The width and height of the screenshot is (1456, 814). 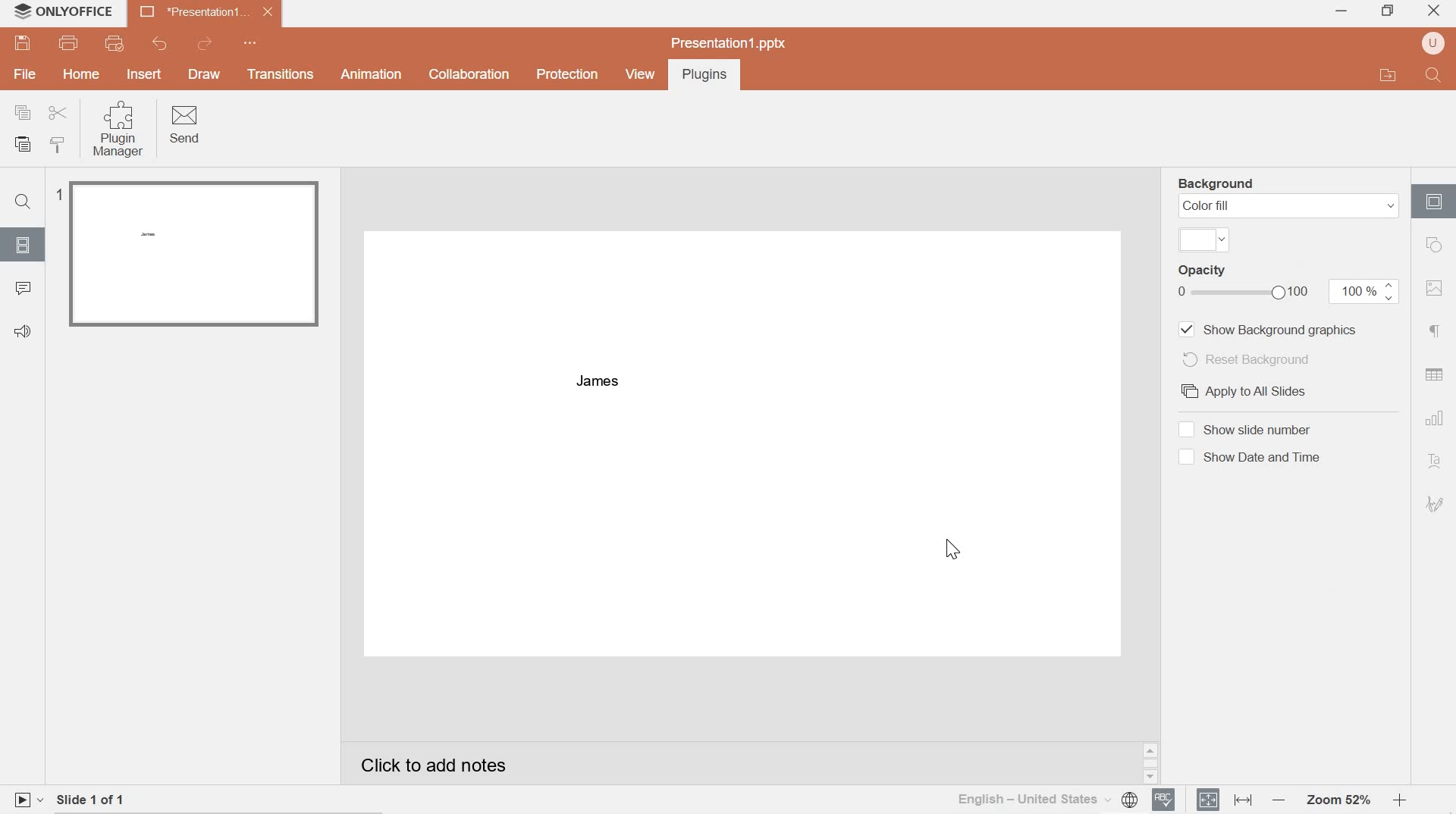 I want to click on INSERT, so click(x=146, y=74).